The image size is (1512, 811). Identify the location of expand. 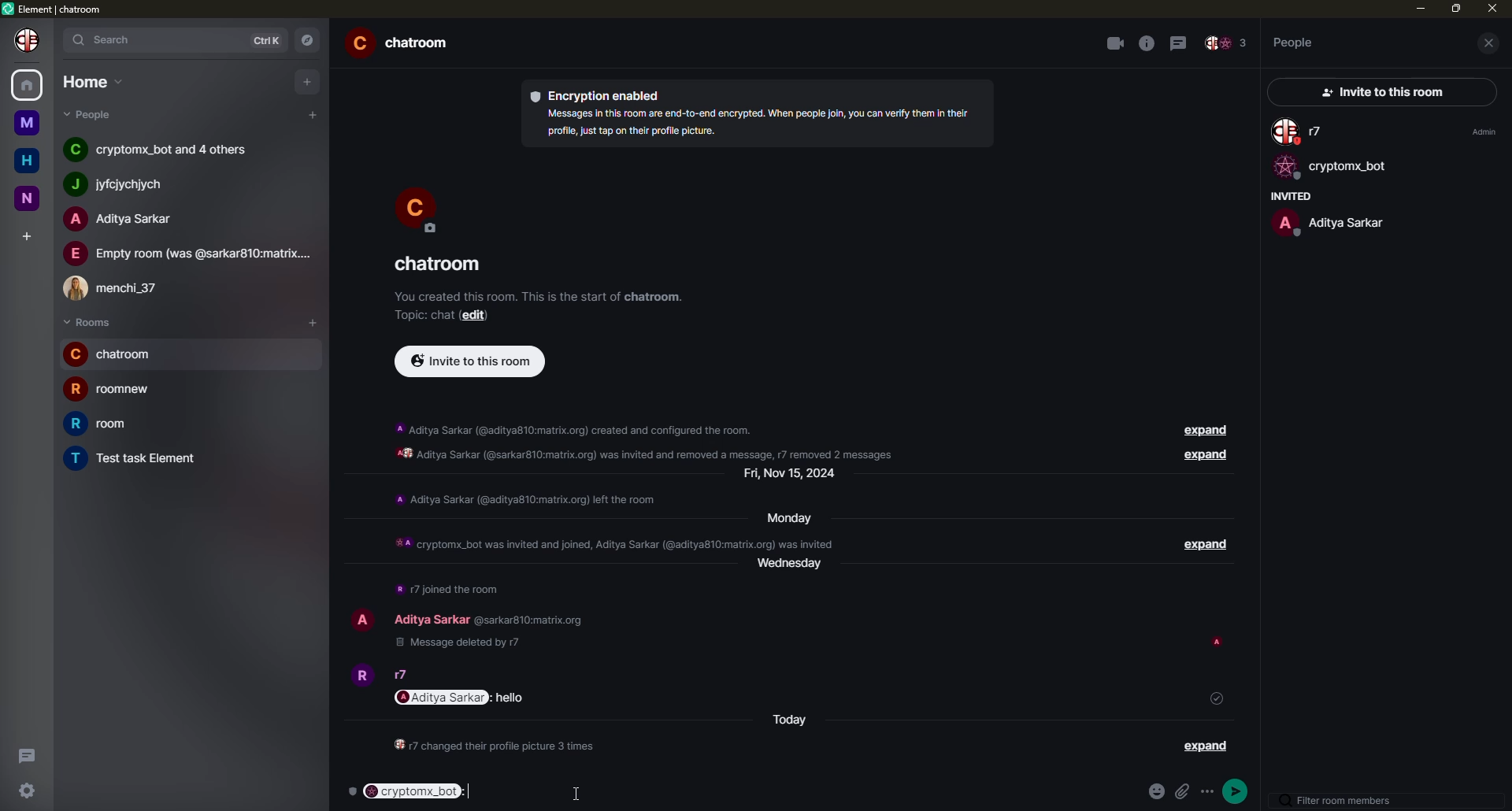
(1206, 746).